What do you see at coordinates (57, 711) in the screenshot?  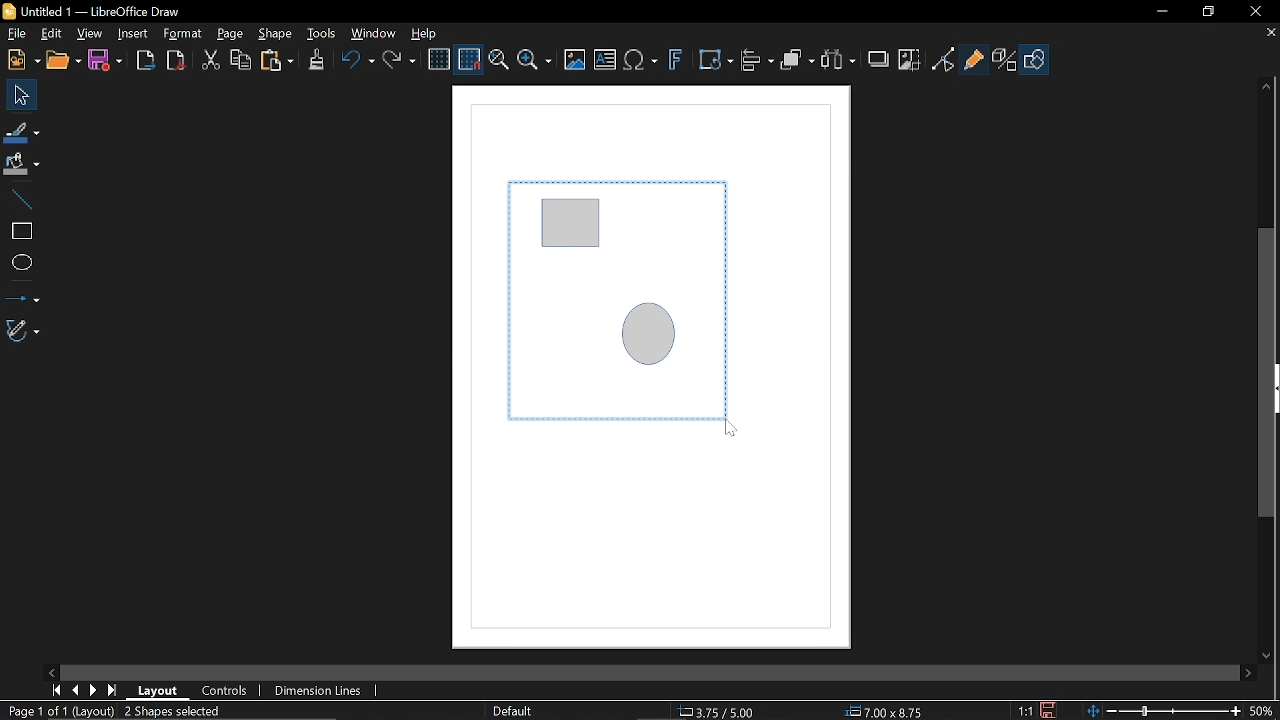 I see `Current page` at bounding box center [57, 711].